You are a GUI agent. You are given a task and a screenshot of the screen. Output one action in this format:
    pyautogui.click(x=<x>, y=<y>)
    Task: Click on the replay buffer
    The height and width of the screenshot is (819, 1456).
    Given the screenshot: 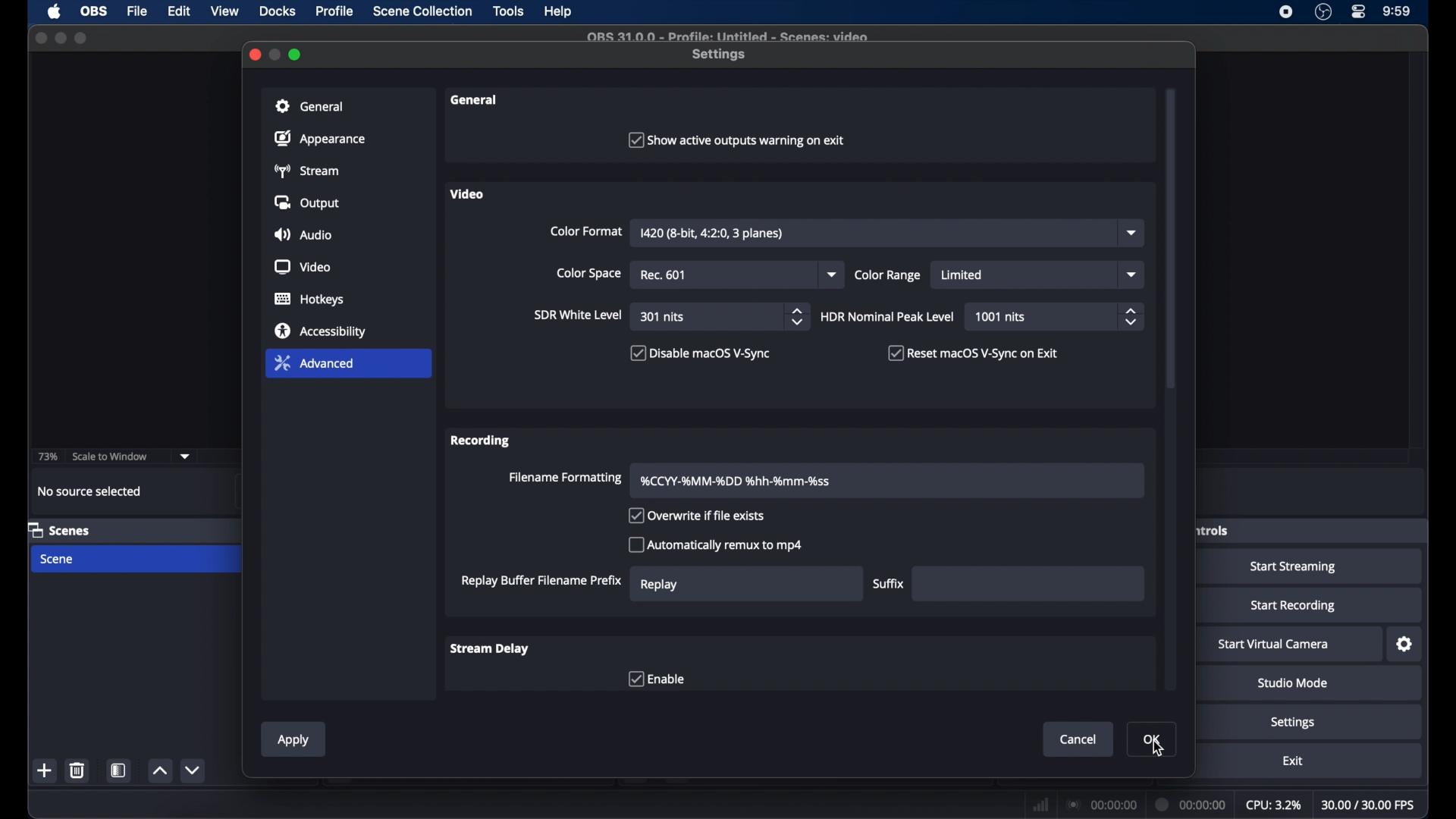 What is the action you would take?
    pyautogui.click(x=542, y=581)
    